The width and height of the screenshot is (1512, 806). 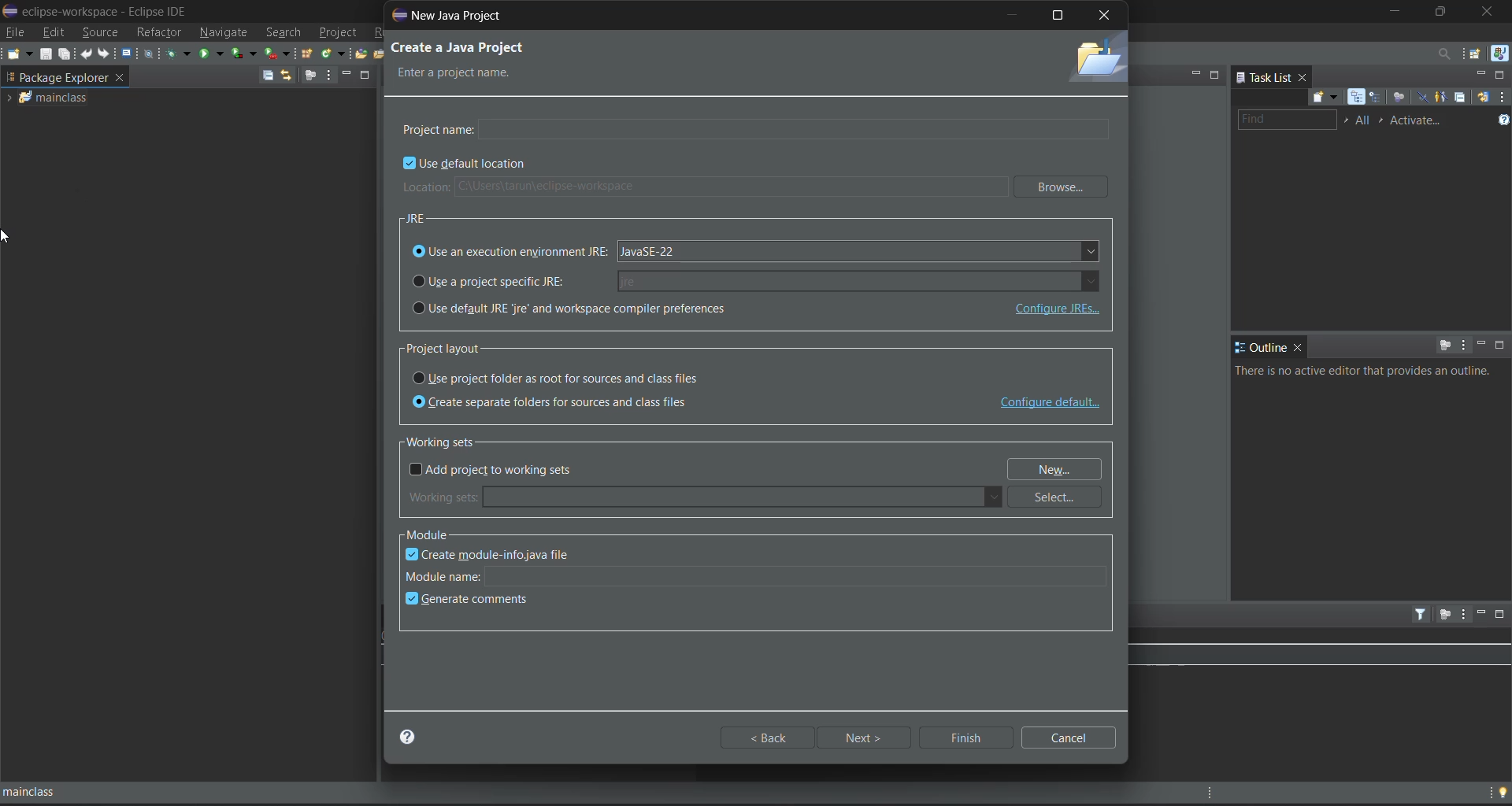 What do you see at coordinates (222, 32) in the screenshot?
I see `navigate` at bounding box center [222, 32].